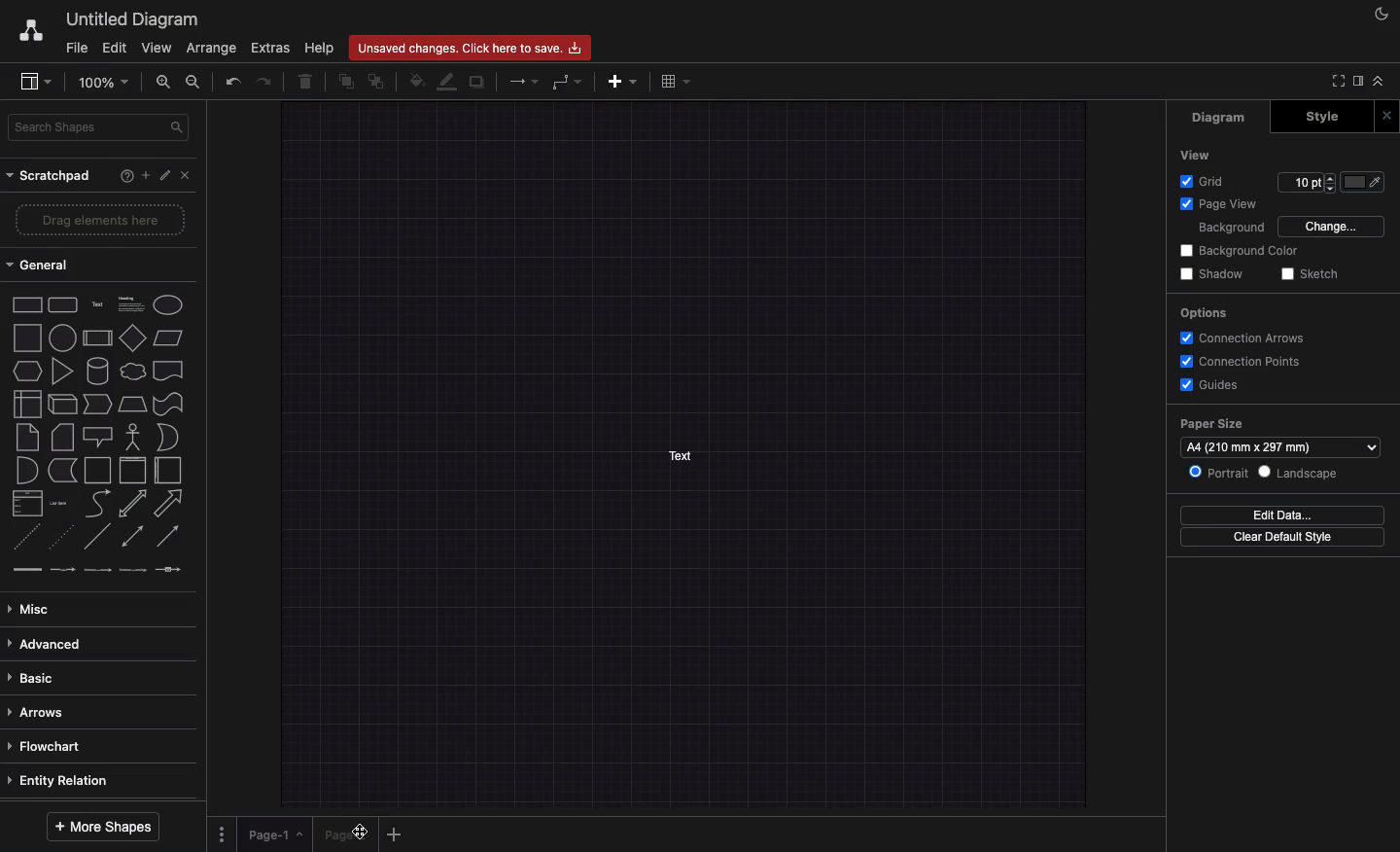 The width and height of the screenshot is (1400, 852). What do you see at coordinates (1246, 337) in the screenshot?
I see `Connection arrows` at bounding box center [1246, 337].